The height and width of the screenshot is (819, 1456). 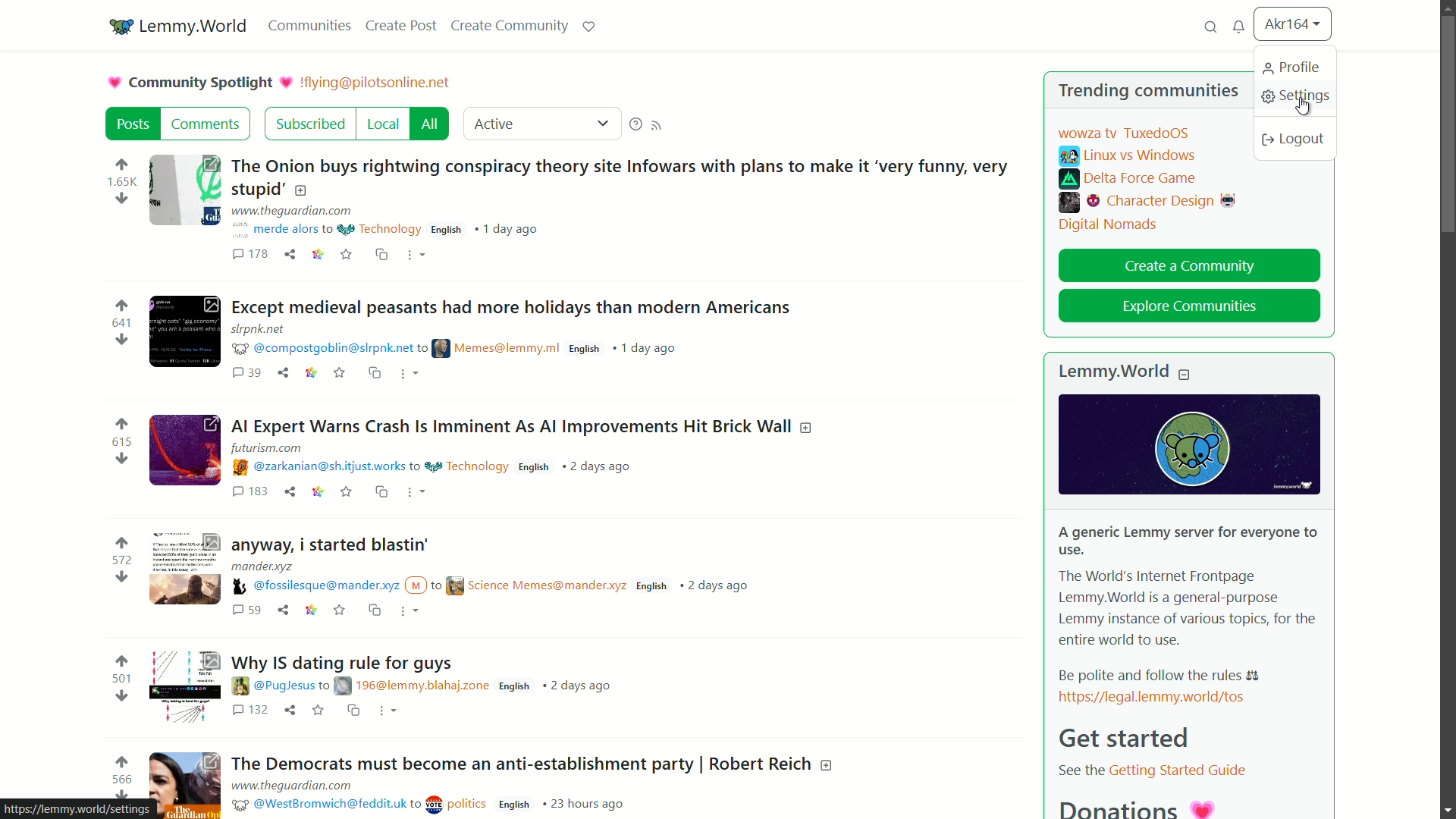 I want to click on image, so click(x=186, y=450).